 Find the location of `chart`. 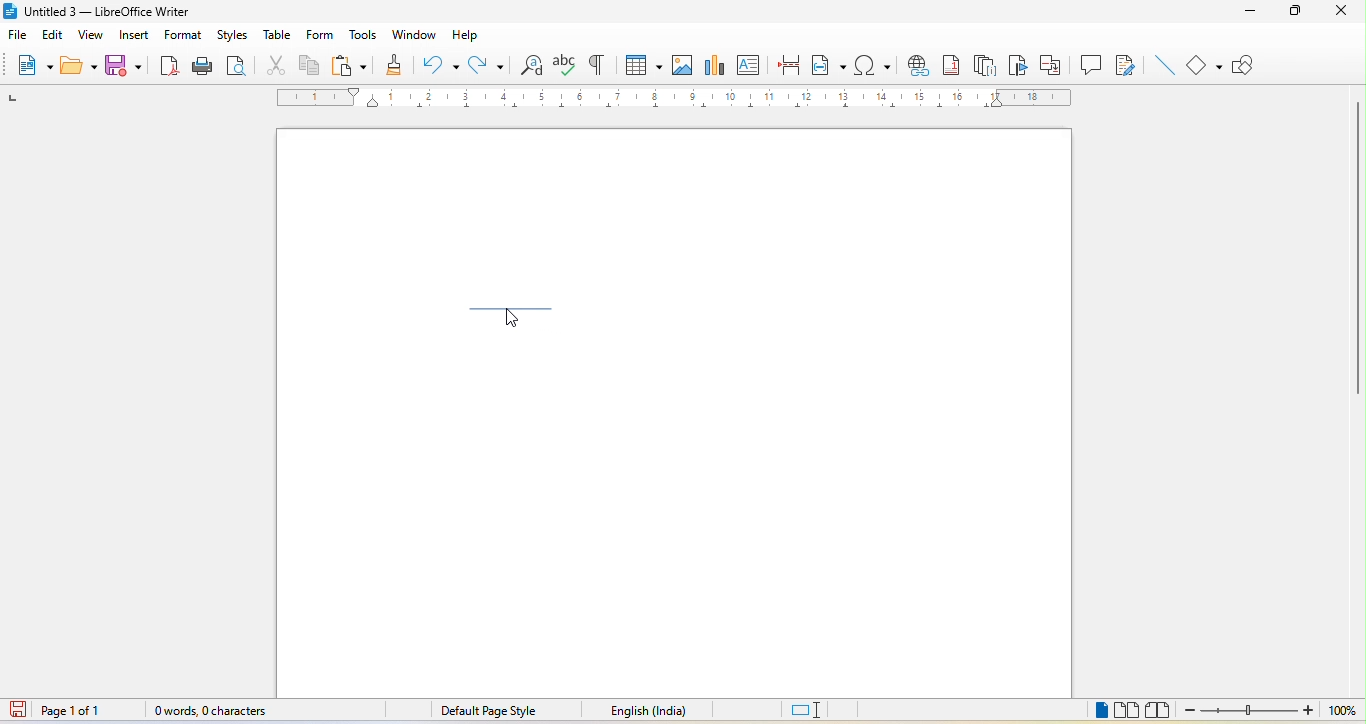

chart is located at coordinates (714, 64).